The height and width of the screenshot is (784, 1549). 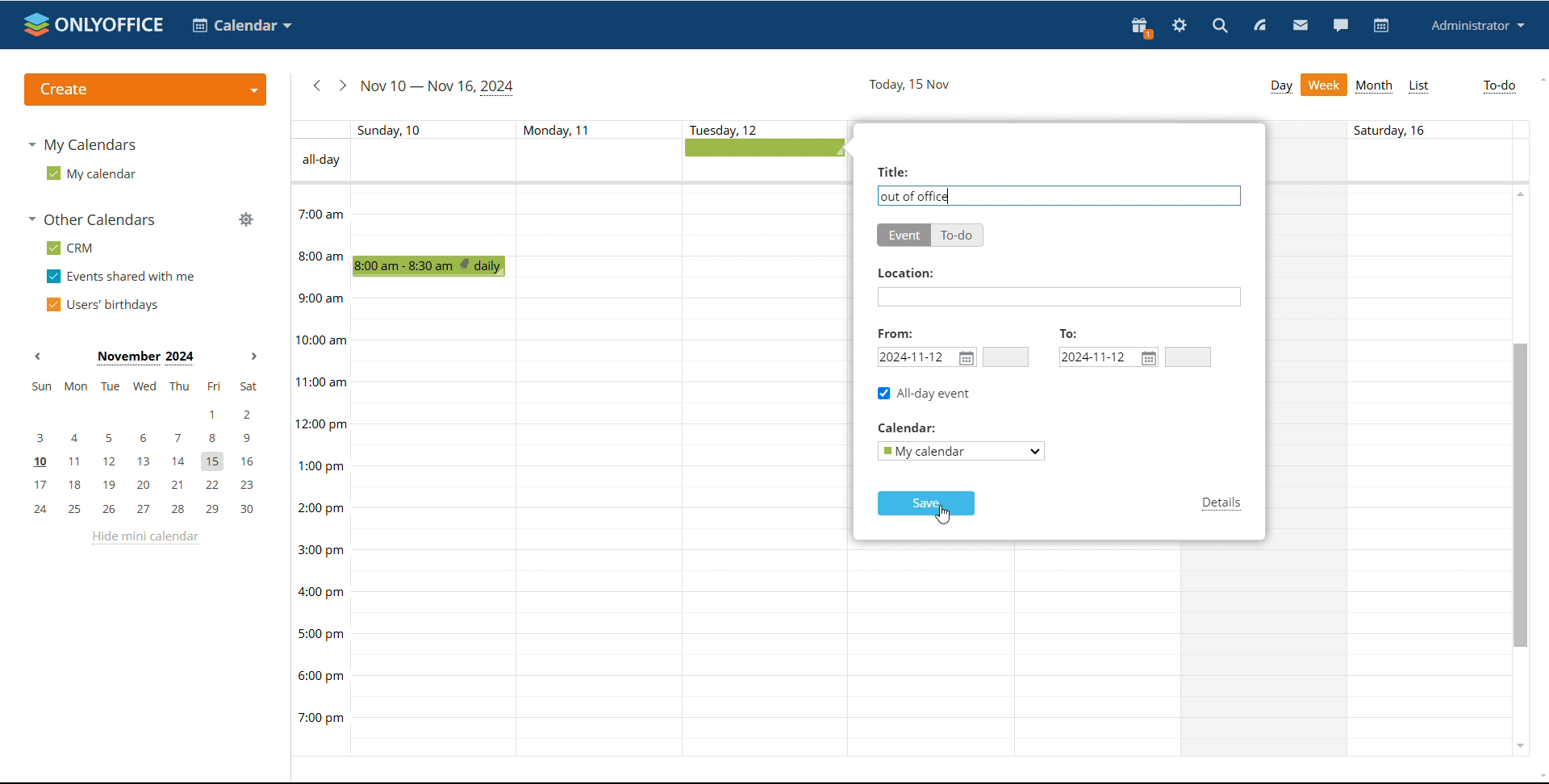 What do you see at coordinates (1399, 132) in the screenshot?
I see `text` at bounding box center [1399, 132].